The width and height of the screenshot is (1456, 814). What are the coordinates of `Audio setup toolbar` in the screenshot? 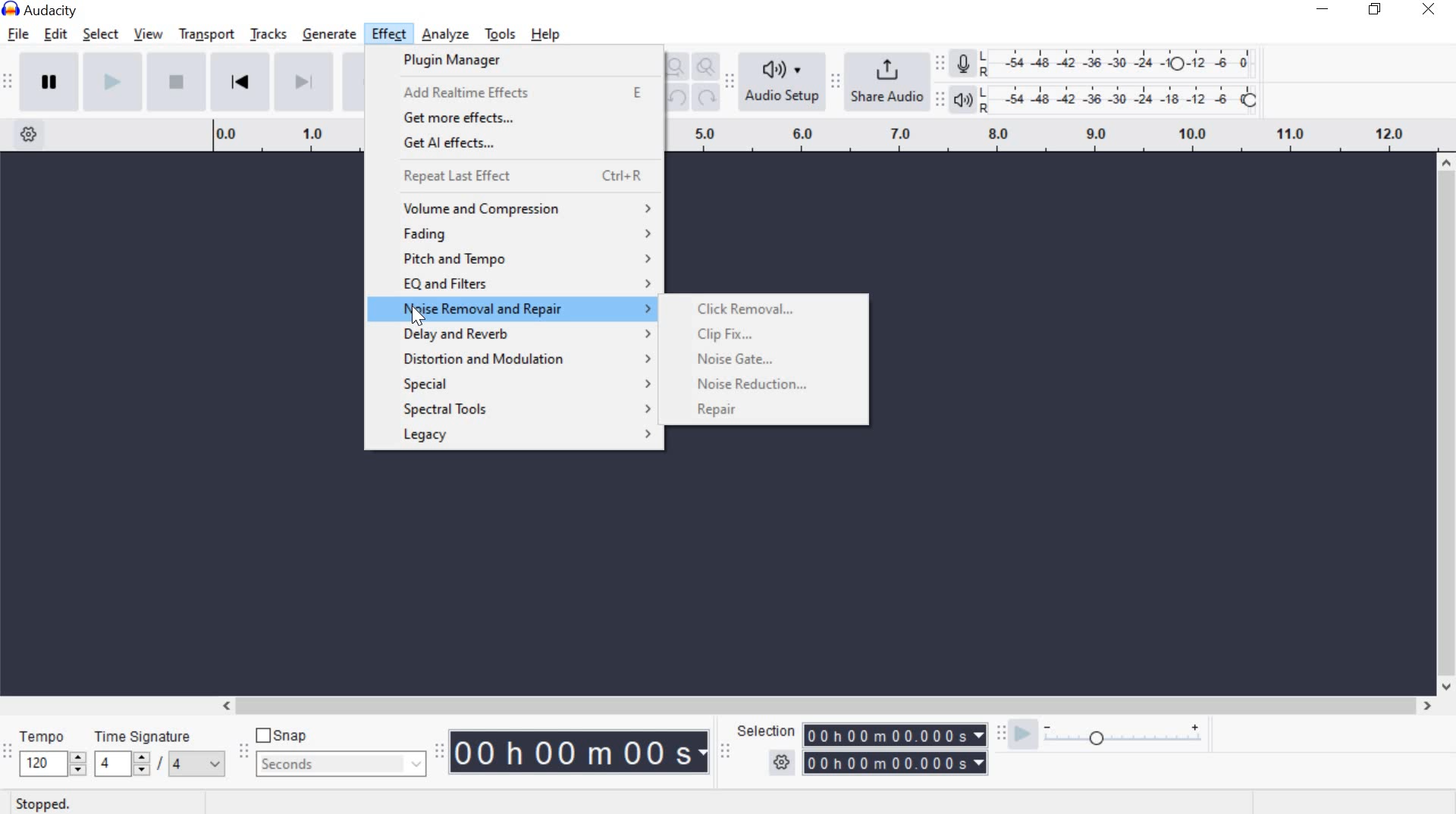 It's located at (732, 81).